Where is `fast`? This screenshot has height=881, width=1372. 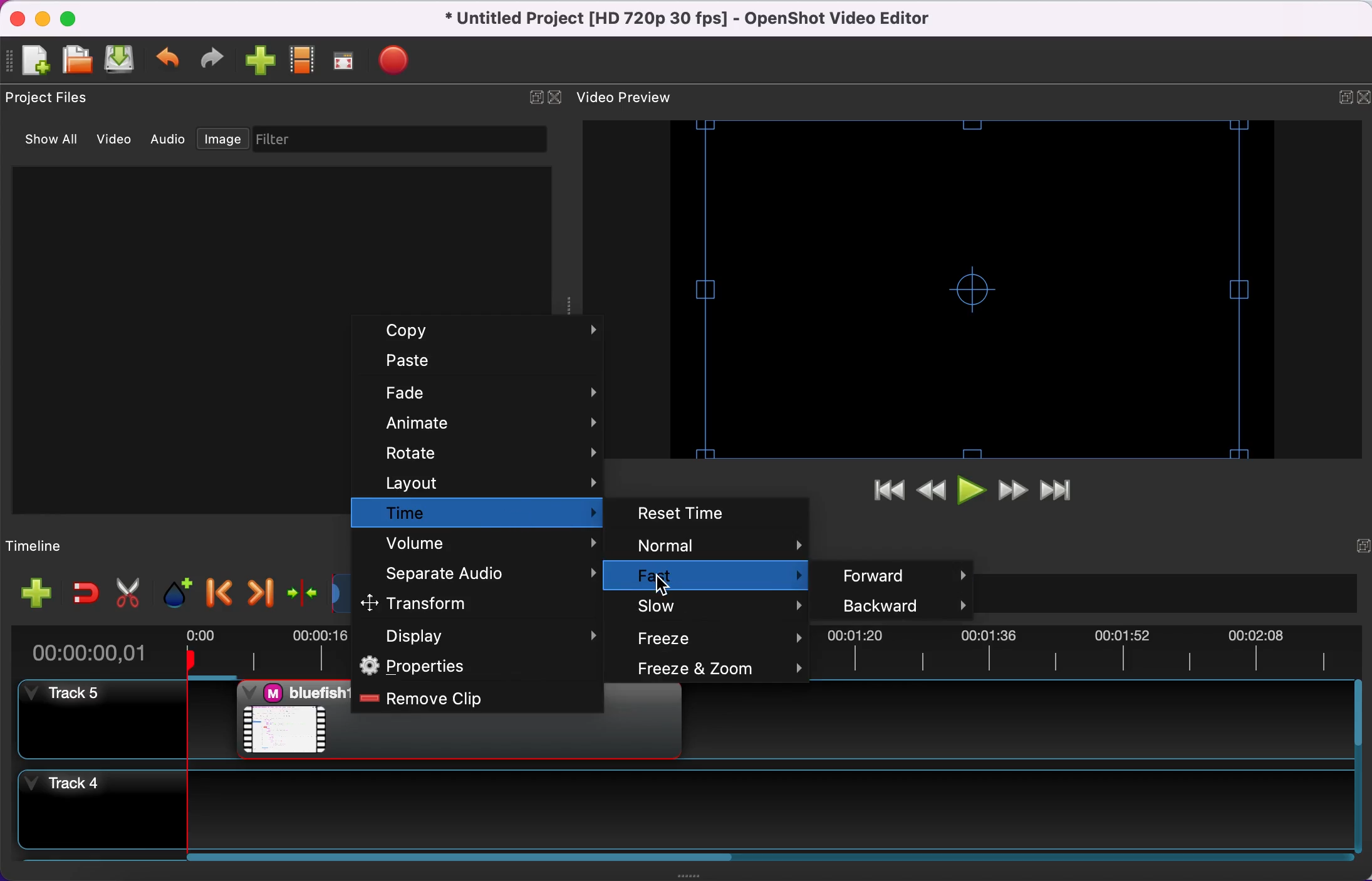
fast is located at coordinates (715, 577).